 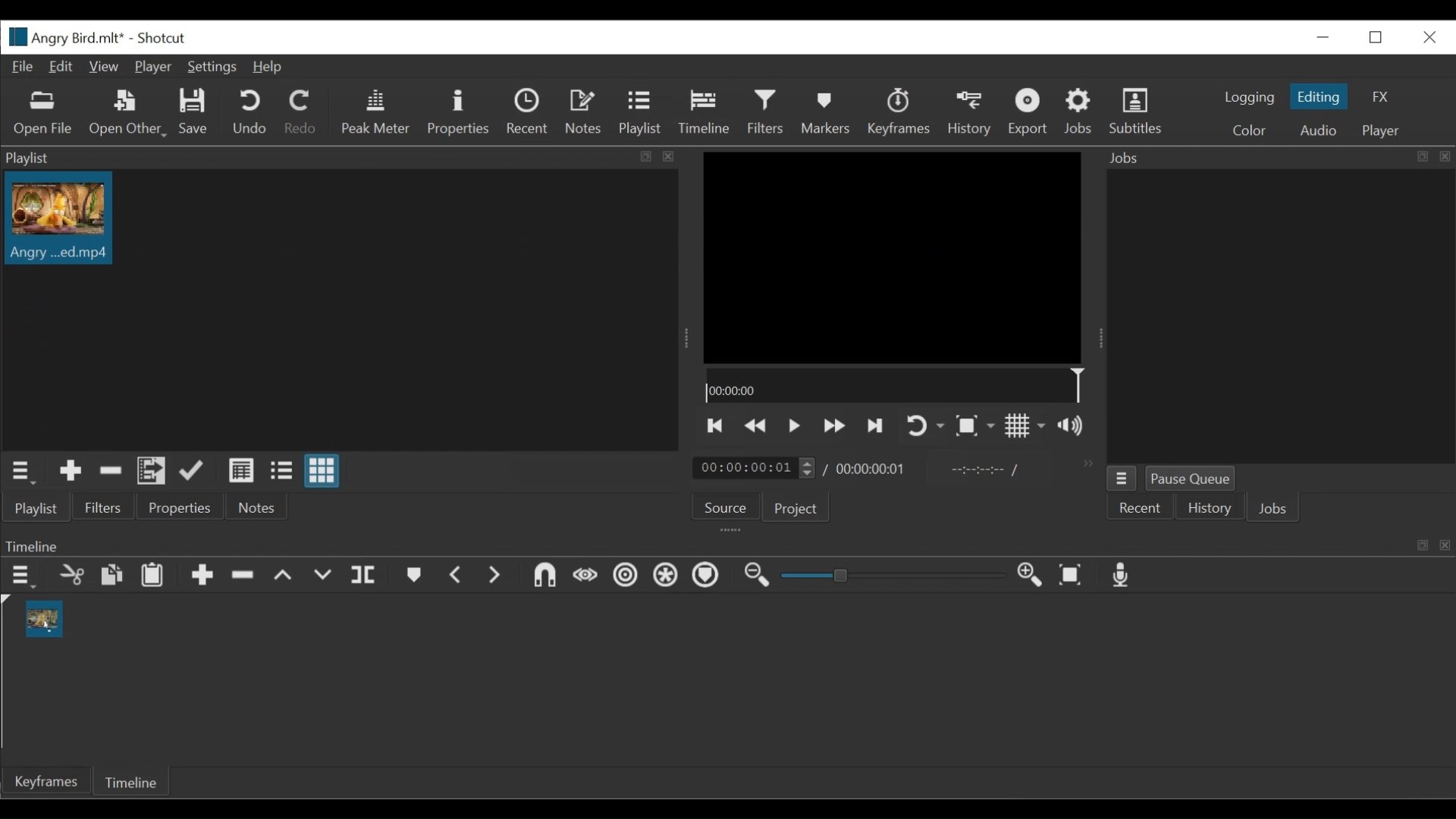 What do you see at coordinates (899, 113) in the screenshot?
I see `Keyframes` at bounding box center [899, 113].